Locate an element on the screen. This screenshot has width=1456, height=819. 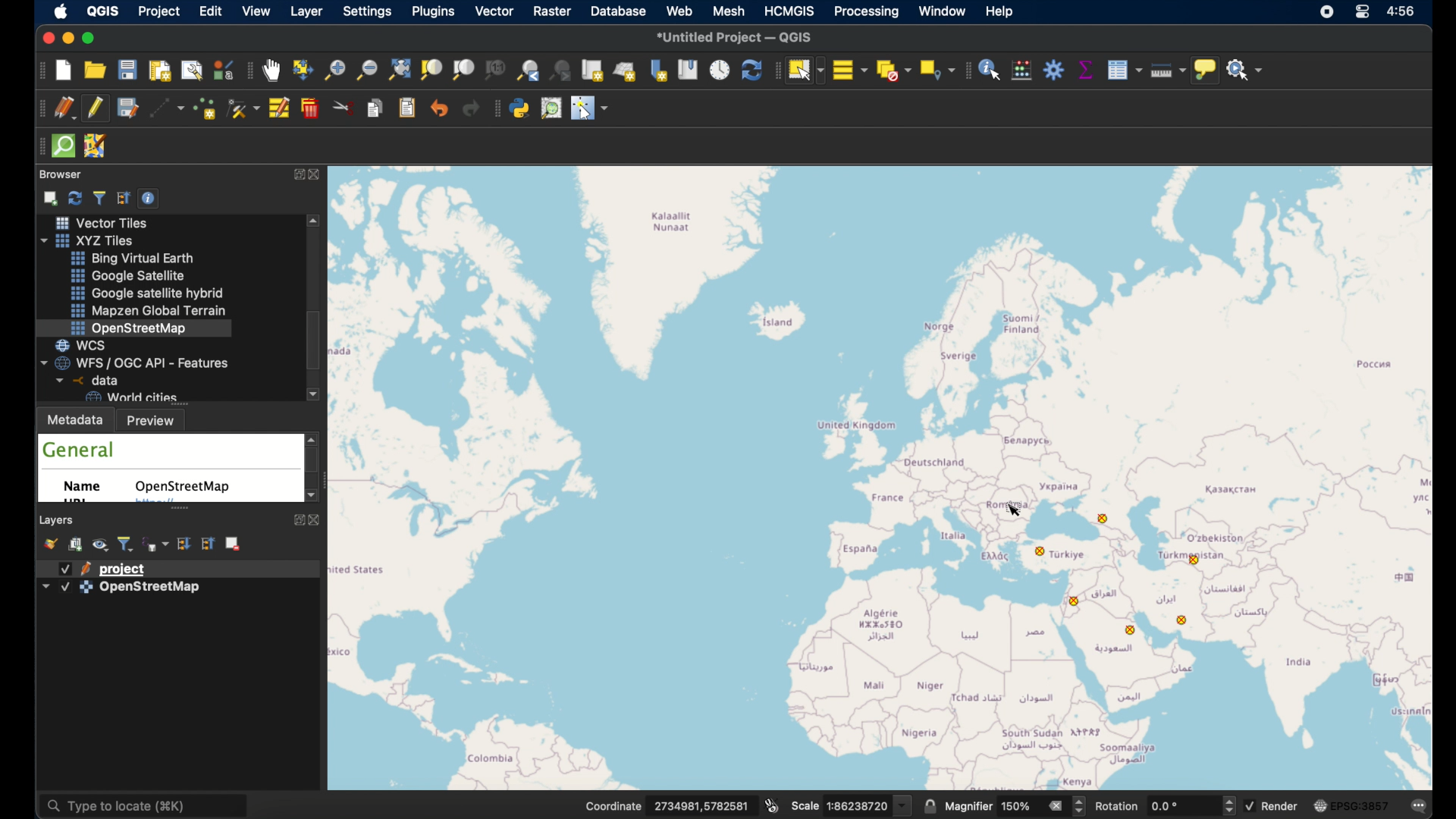
close is located at coordinates (315, 520).